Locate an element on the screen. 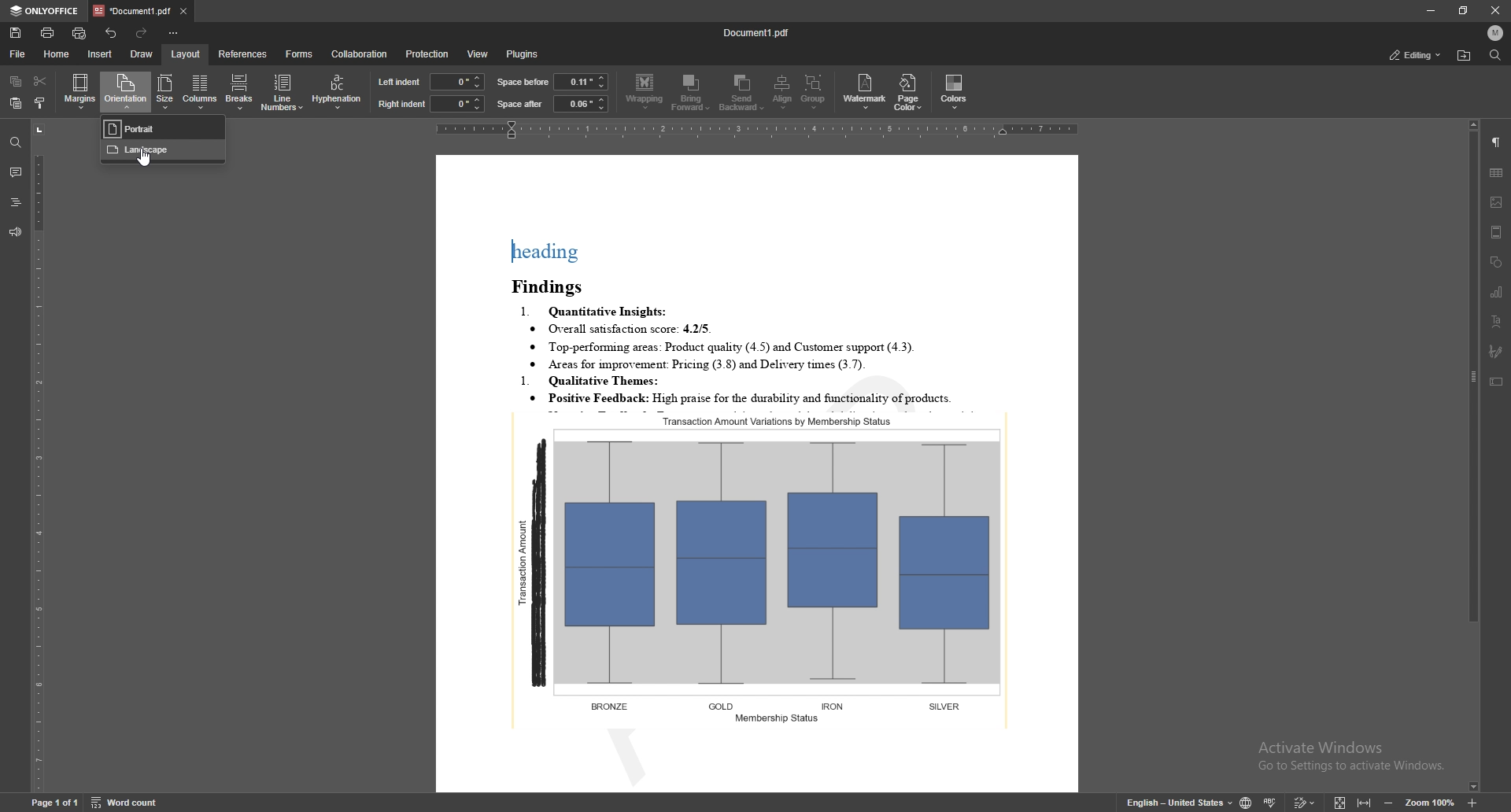  minimize is located at coordinates (1430, 10).